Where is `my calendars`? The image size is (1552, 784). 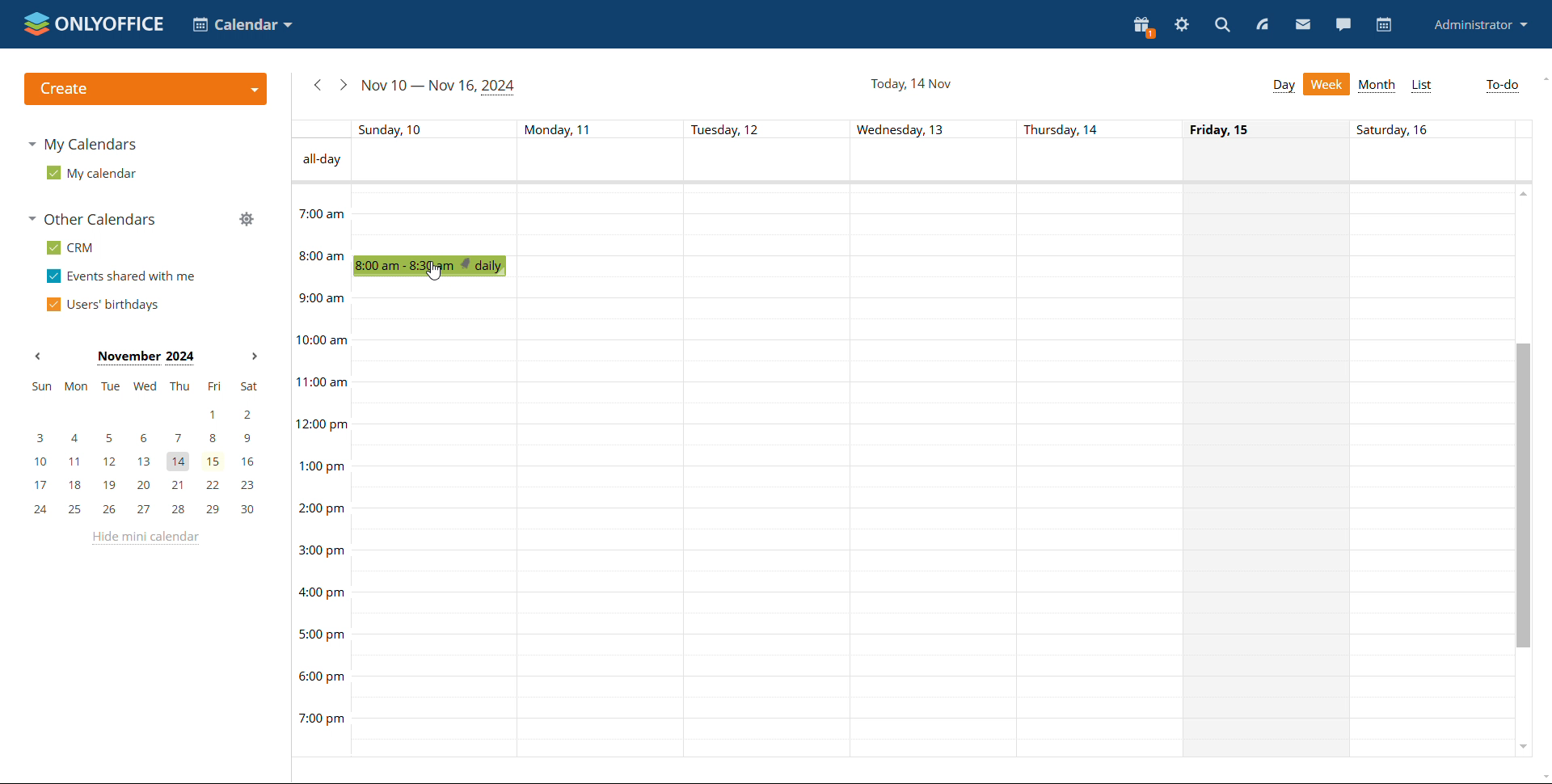
my calendars is located at coordinates (81, 144).